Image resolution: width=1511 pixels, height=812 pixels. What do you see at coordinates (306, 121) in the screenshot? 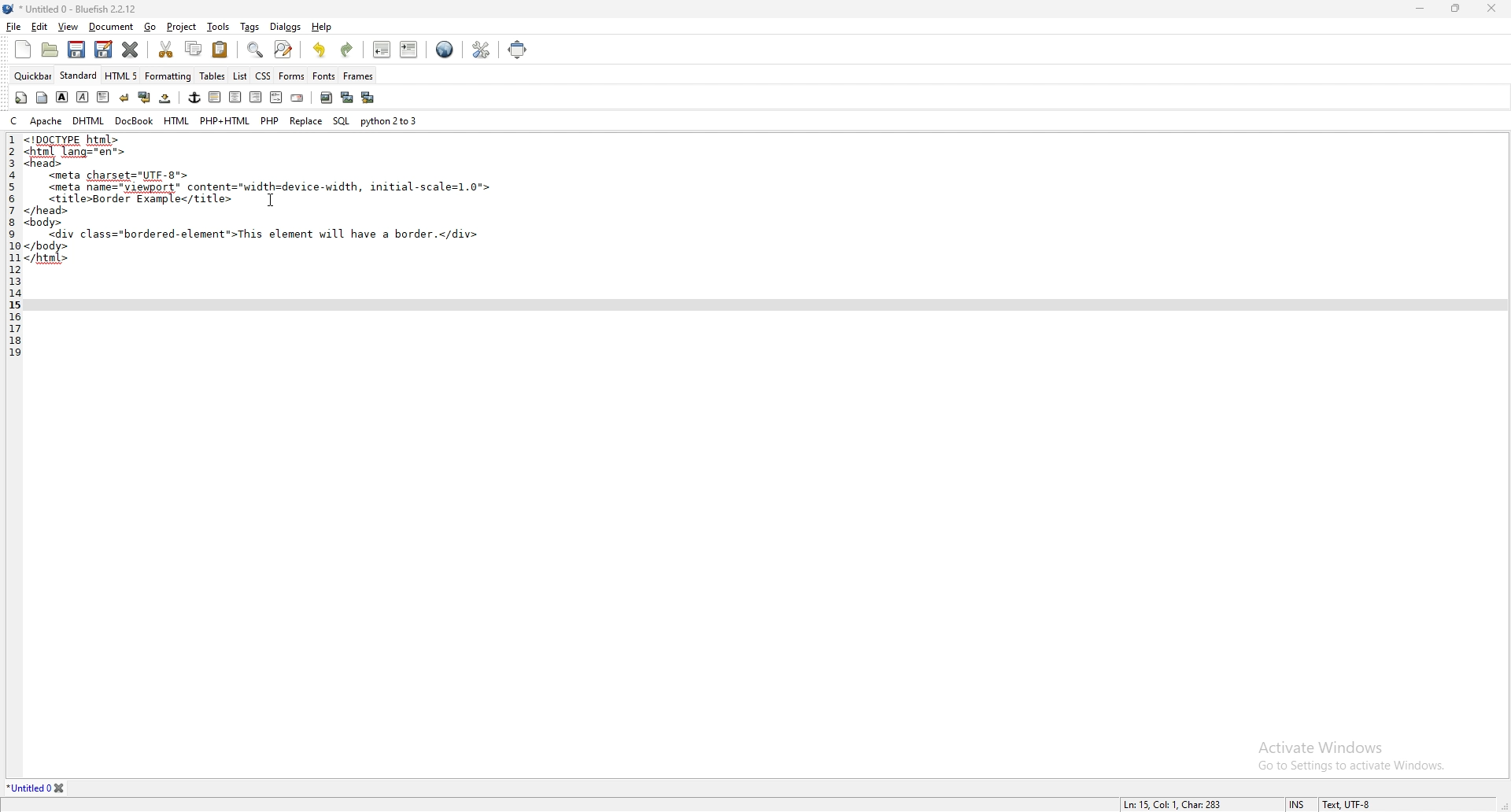
I see `replace` at bounding box center [306, 121].